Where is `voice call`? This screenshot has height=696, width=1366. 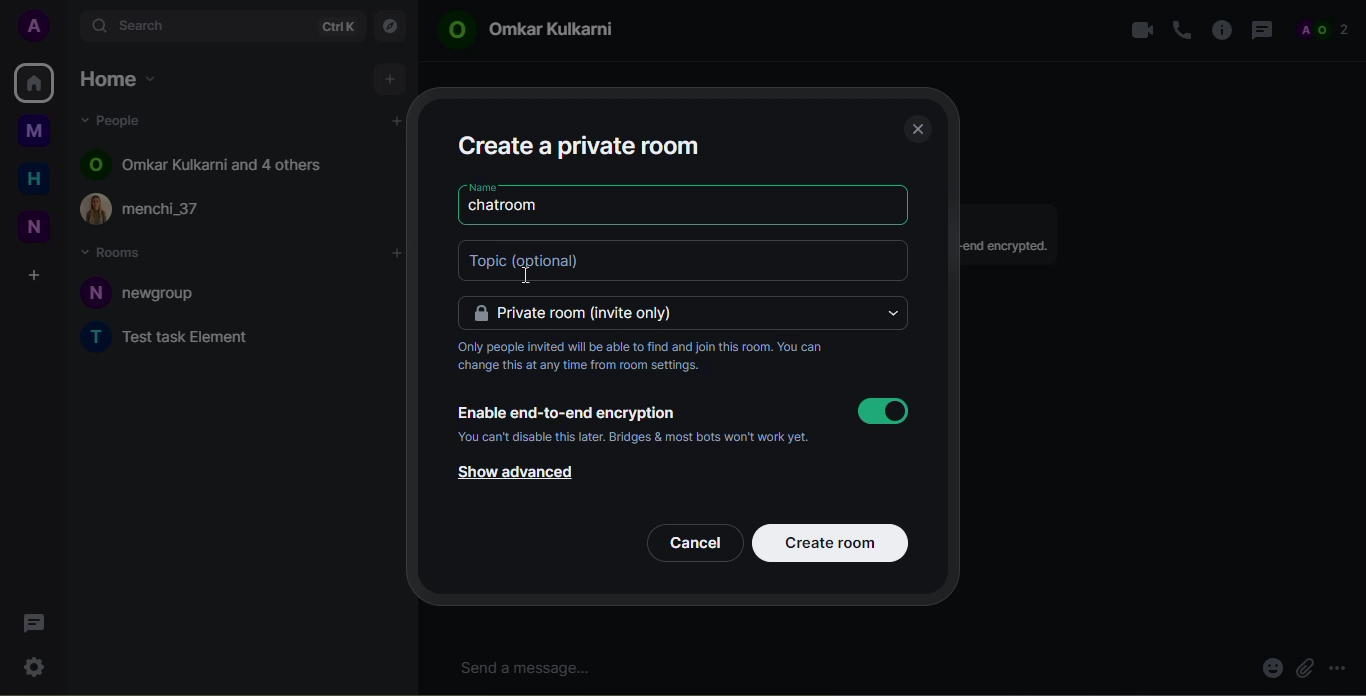
voice call is located at coordinates (1181, 30).